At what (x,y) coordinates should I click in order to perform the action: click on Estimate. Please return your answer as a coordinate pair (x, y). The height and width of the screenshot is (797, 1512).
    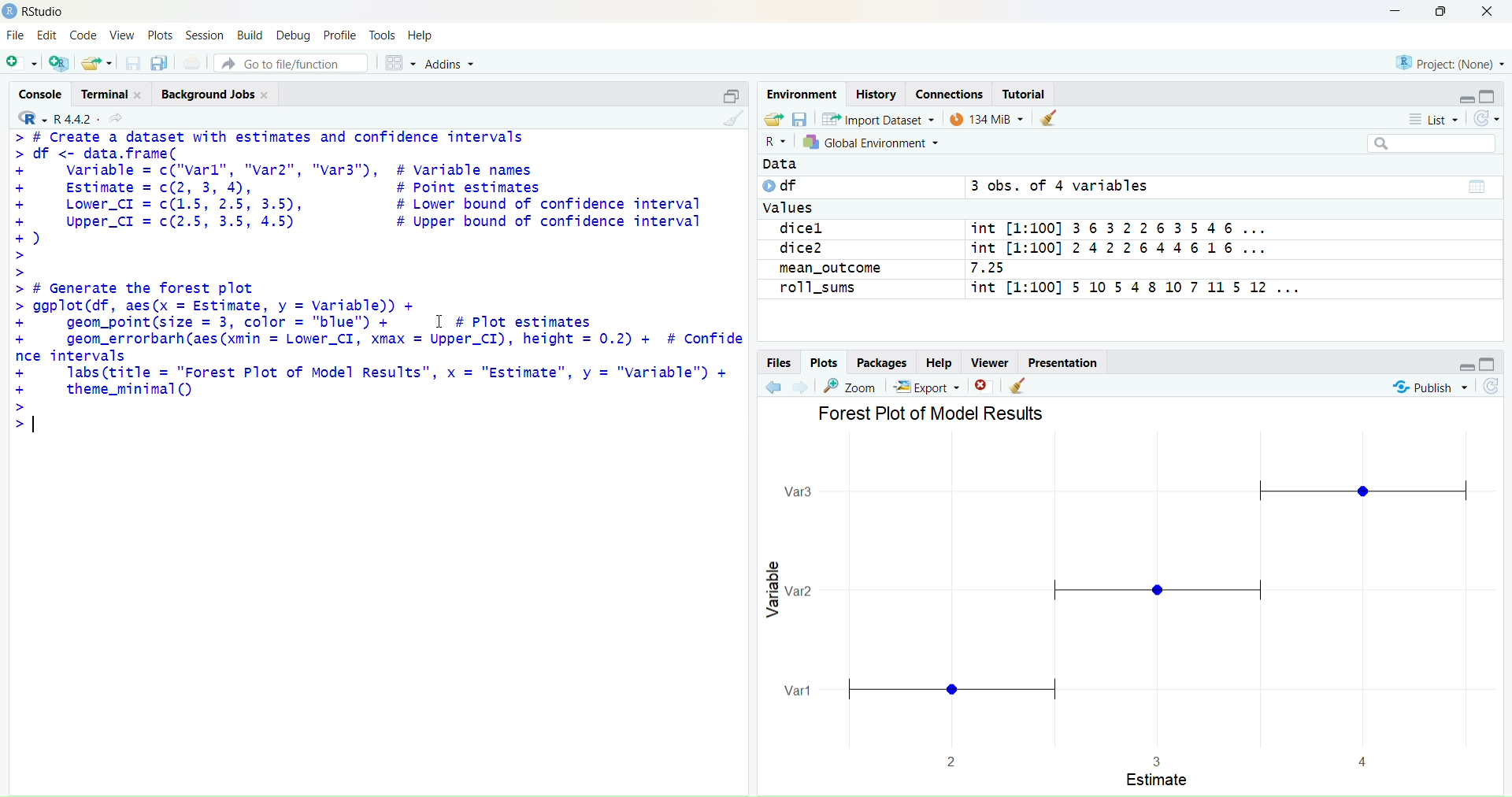
    Looking at the image, I should click on (1158, 780).